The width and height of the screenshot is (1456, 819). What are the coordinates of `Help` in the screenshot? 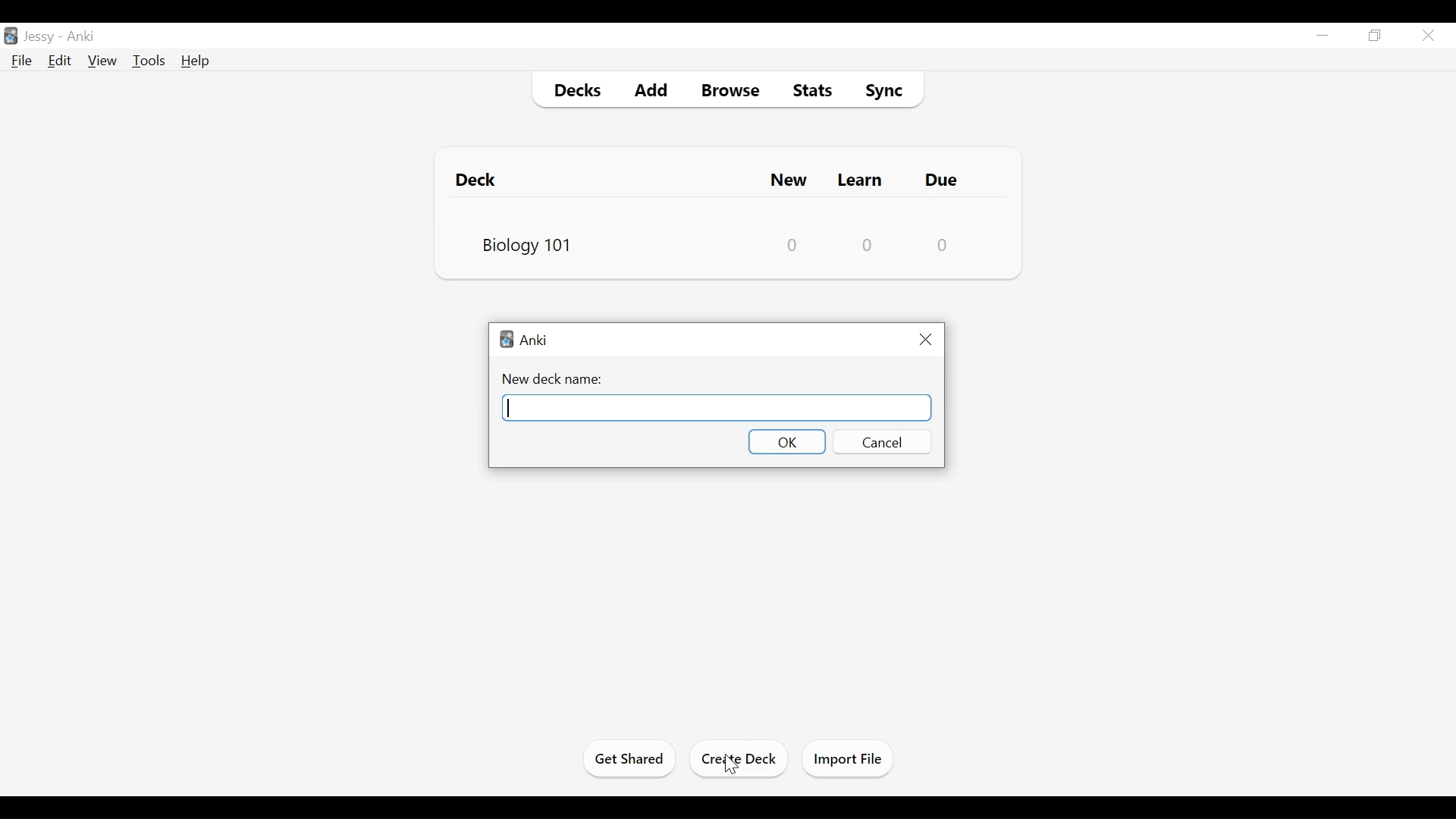 It's located at (196, 61).